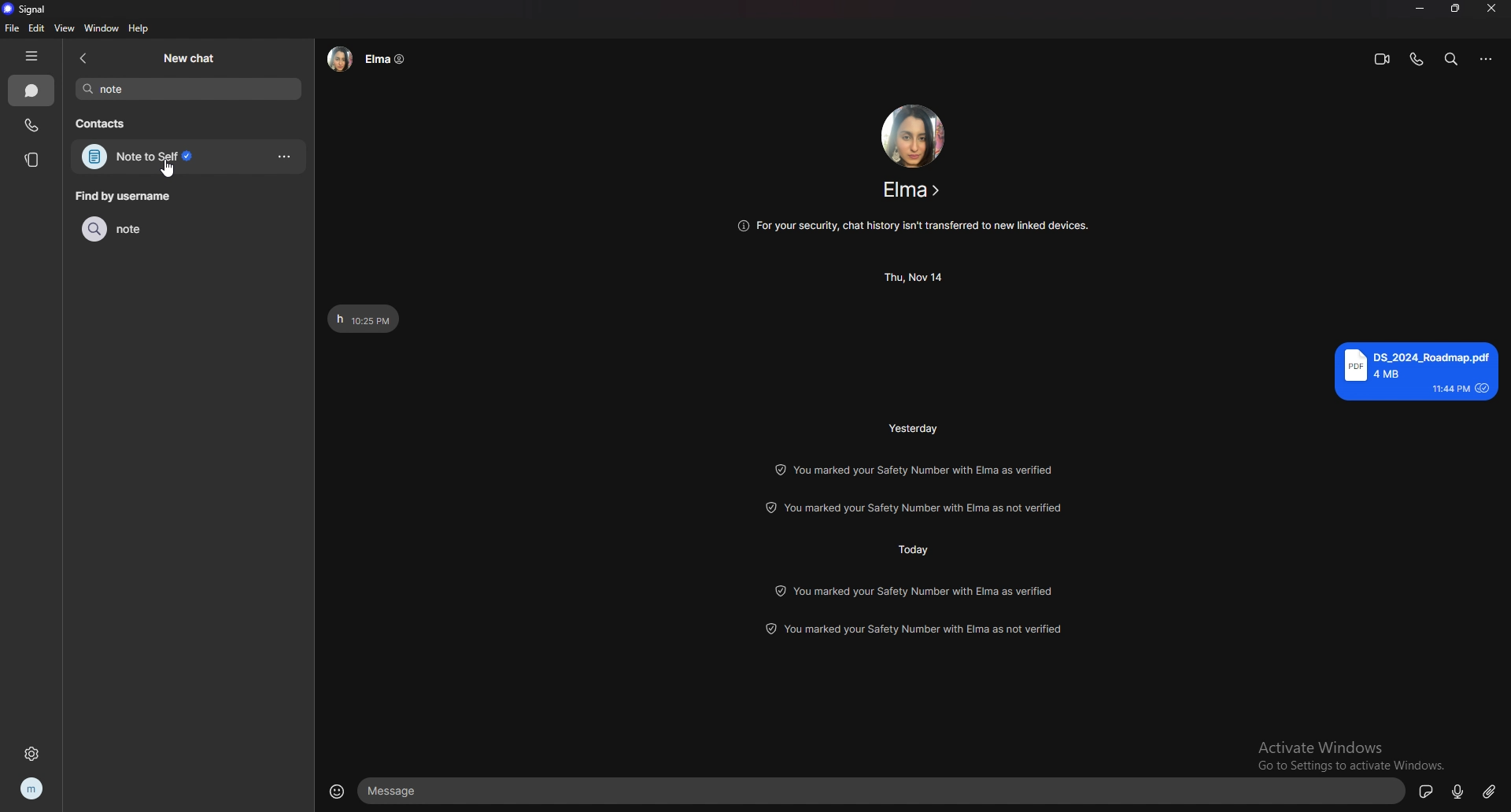 The width and height of the screenshot is (1511, 812). Describe the element at coordinates (31, 159) in the screenshot. I see `stories` at that location.